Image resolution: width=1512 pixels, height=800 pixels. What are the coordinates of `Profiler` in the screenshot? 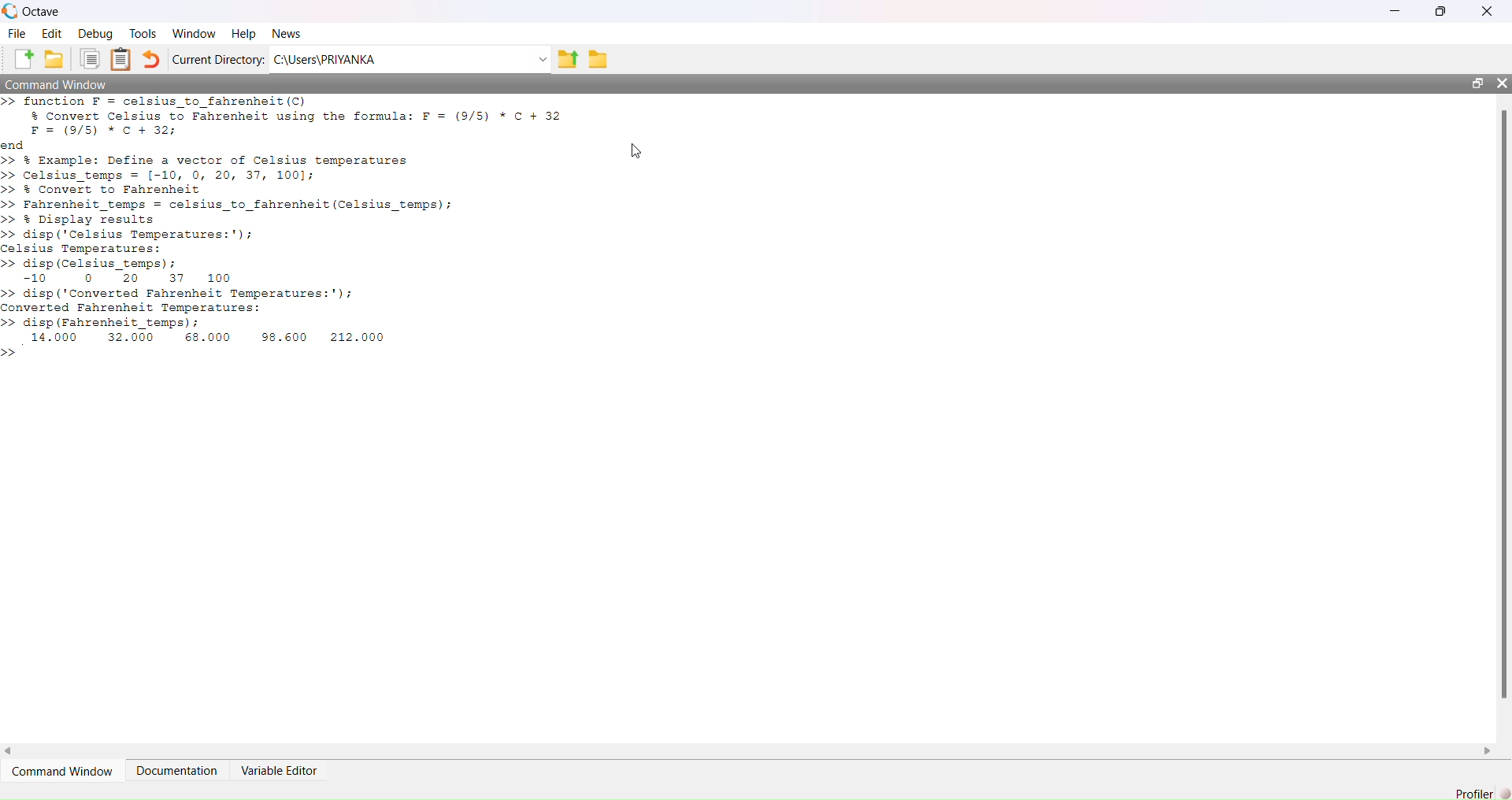 It's located at (1474, 793).